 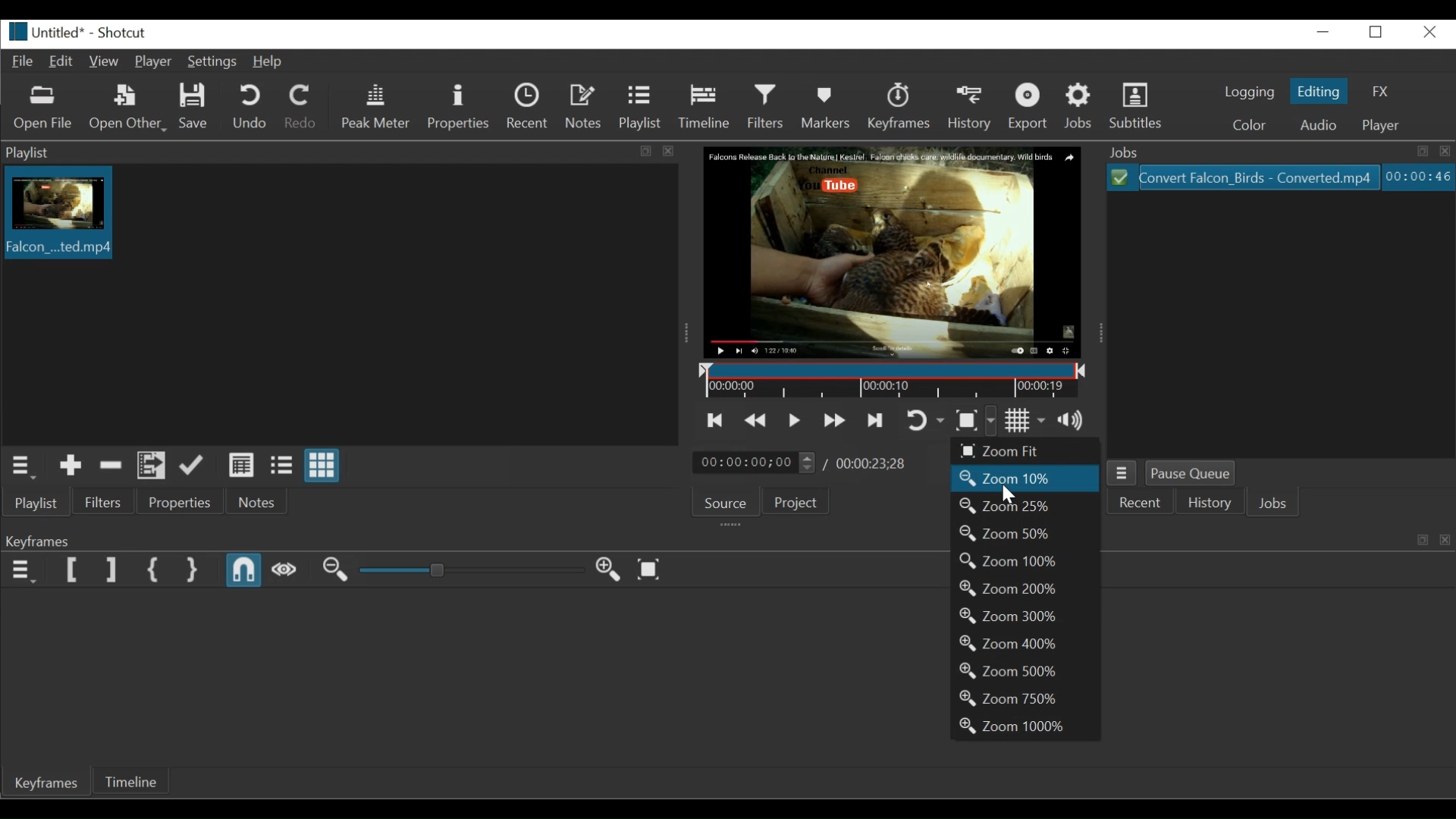 What do you see at coordinates (1278, 324) in the screenshot?
I see `File Viewer` at bounding box center [1278, 324].